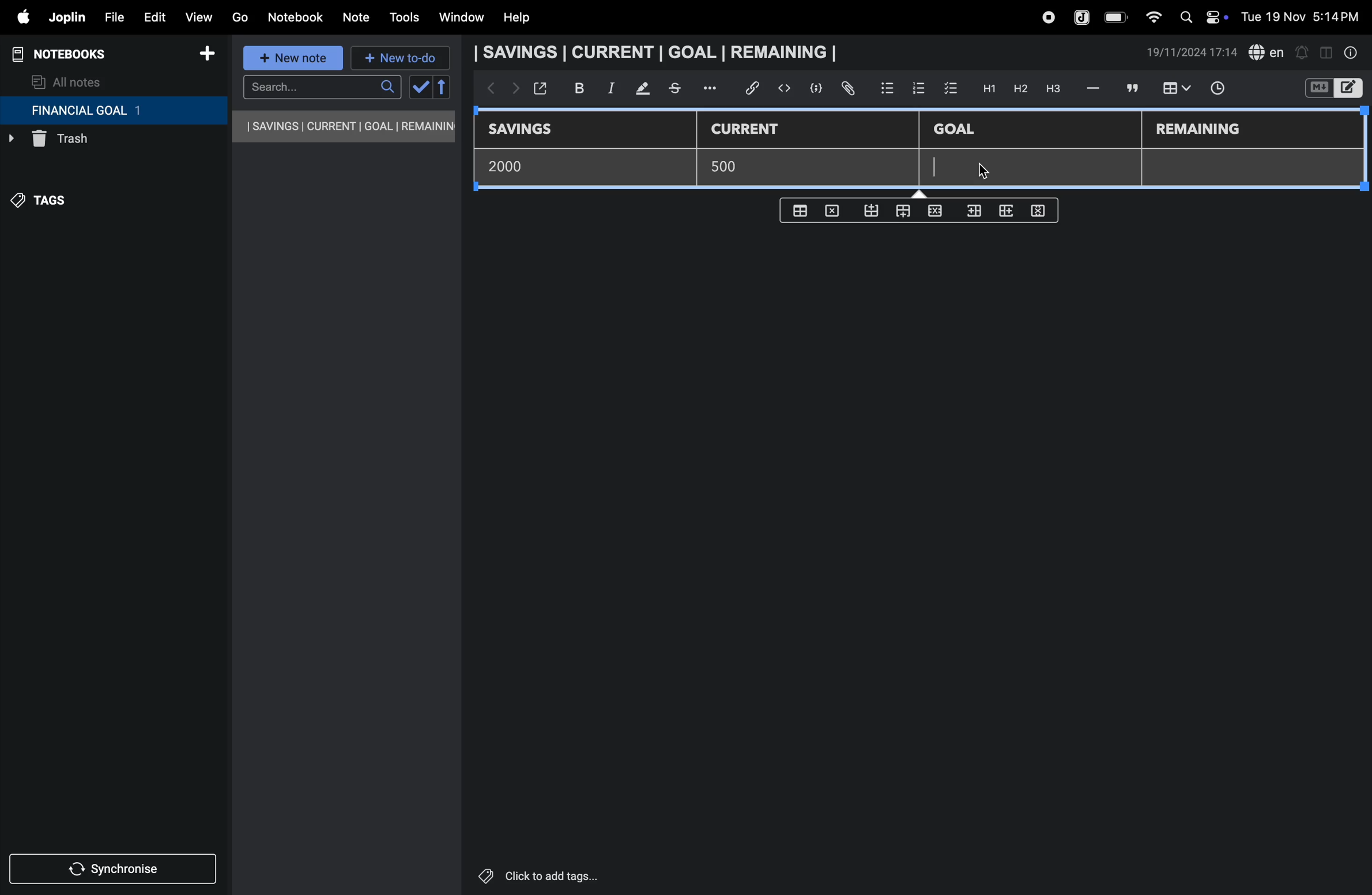 This screenshot has height=895, width=1372. I want to click on time, so click(1225, 89).